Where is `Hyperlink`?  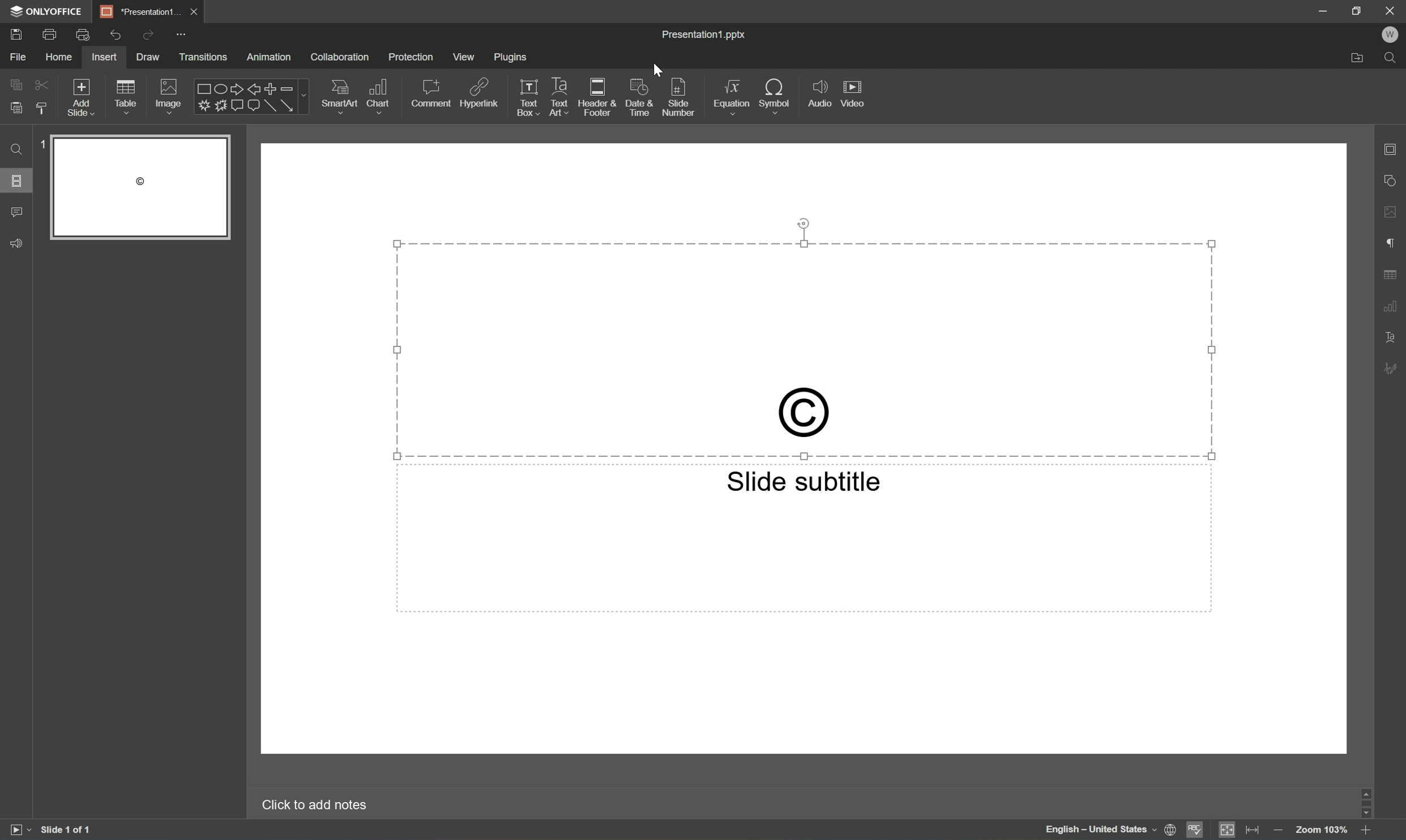
Hyperlink is located at coordinates (481, 92).